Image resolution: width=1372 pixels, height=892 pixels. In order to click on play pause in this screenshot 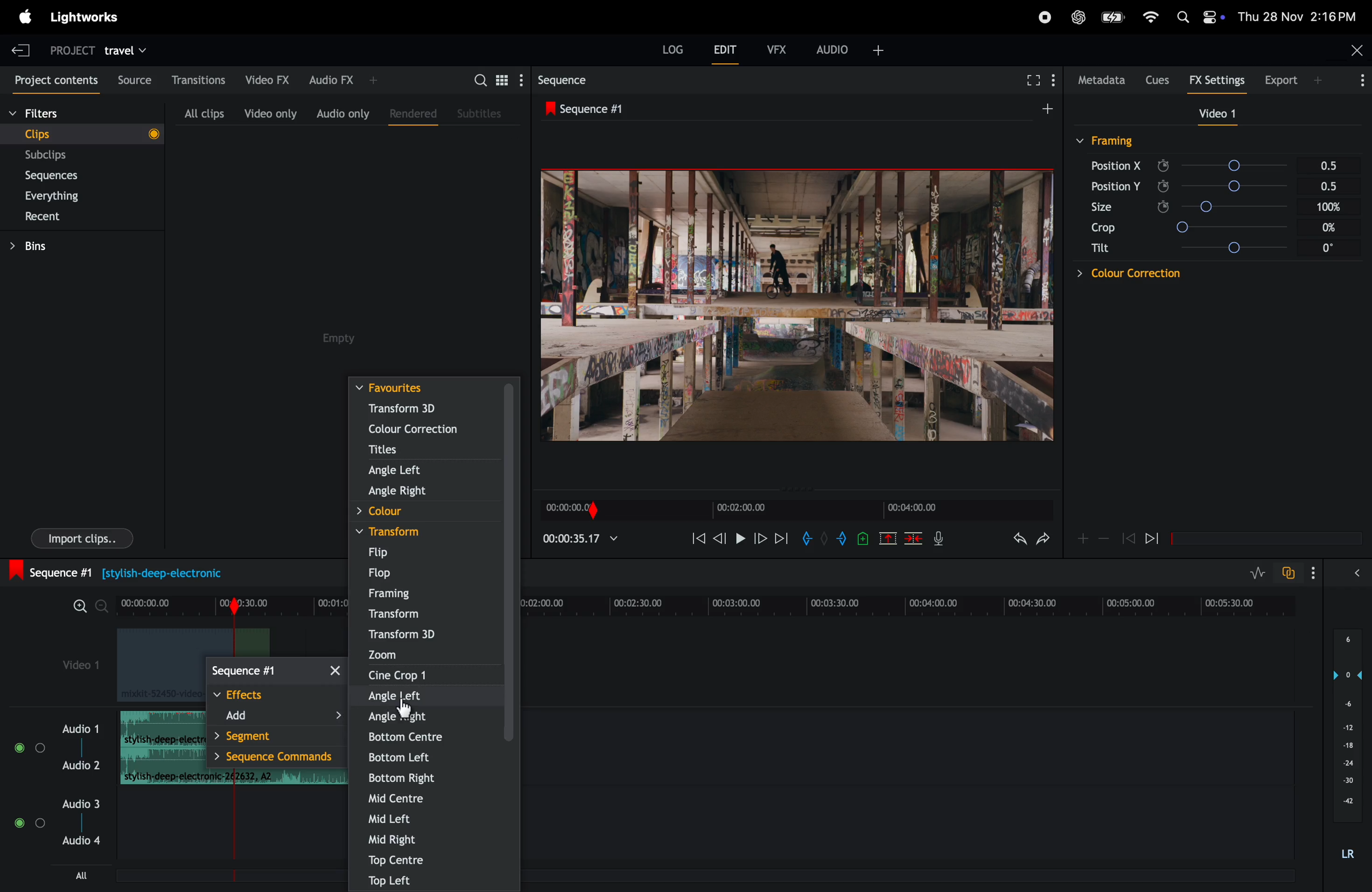, I will do `click(742, 540)`.